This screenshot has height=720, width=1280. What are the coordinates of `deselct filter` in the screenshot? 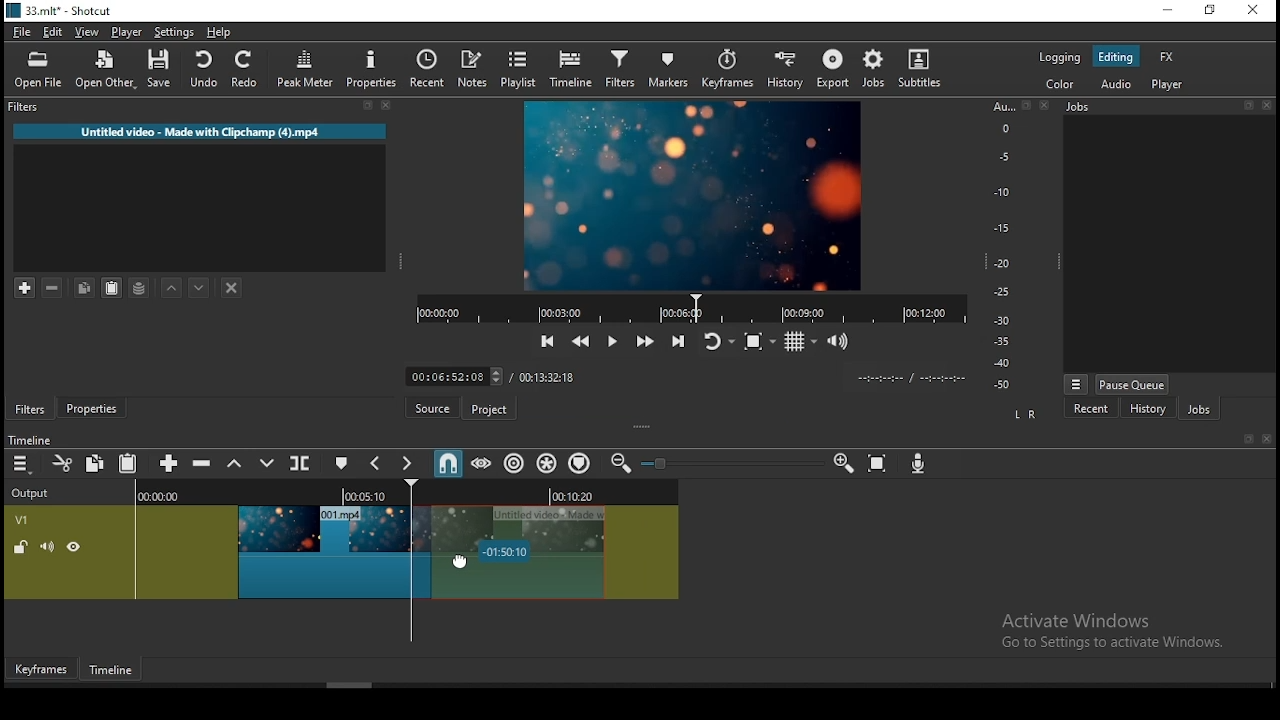 It's located at (231, 287).